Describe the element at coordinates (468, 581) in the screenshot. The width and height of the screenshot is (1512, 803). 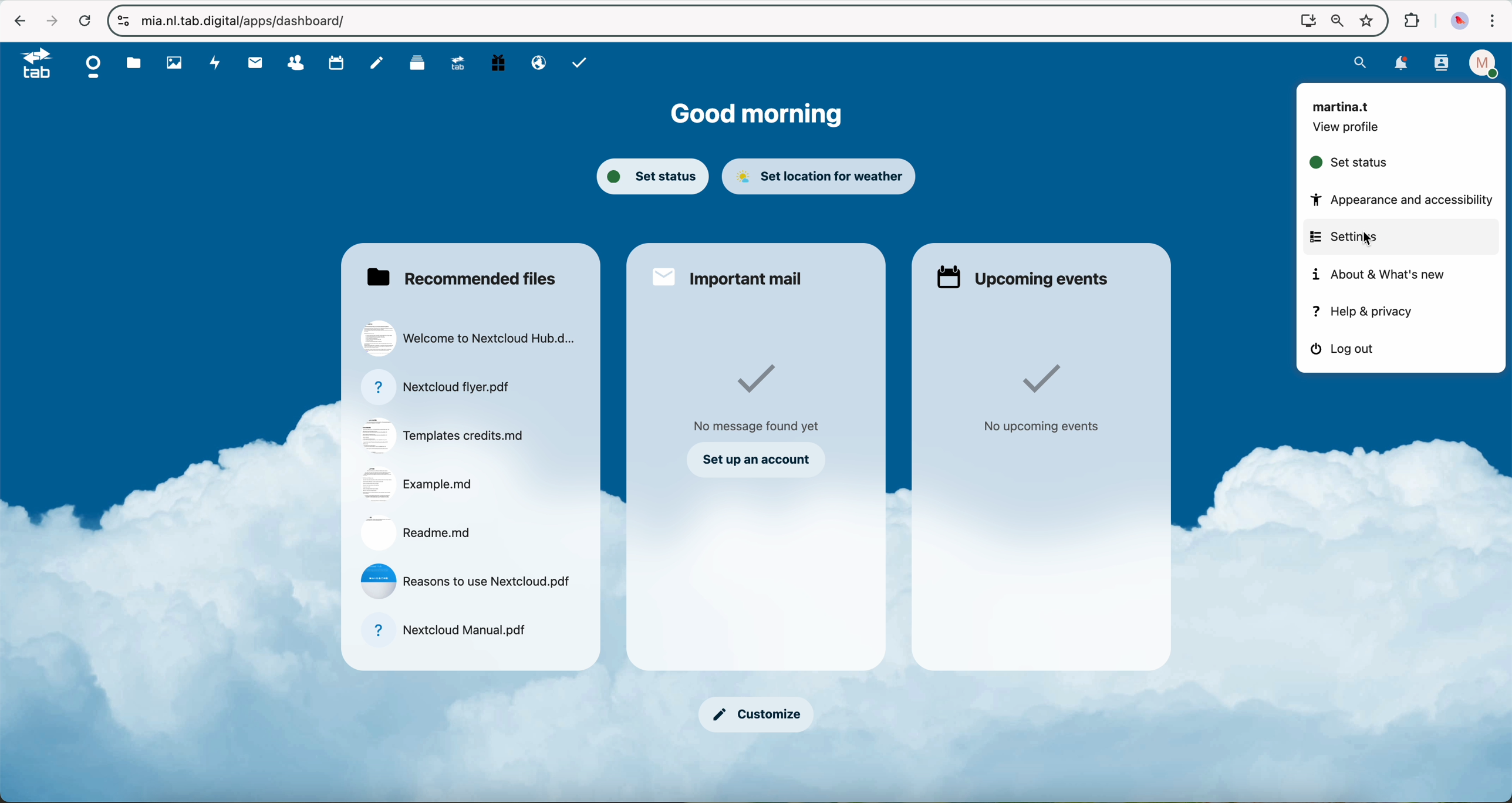
I see `file` at that location.